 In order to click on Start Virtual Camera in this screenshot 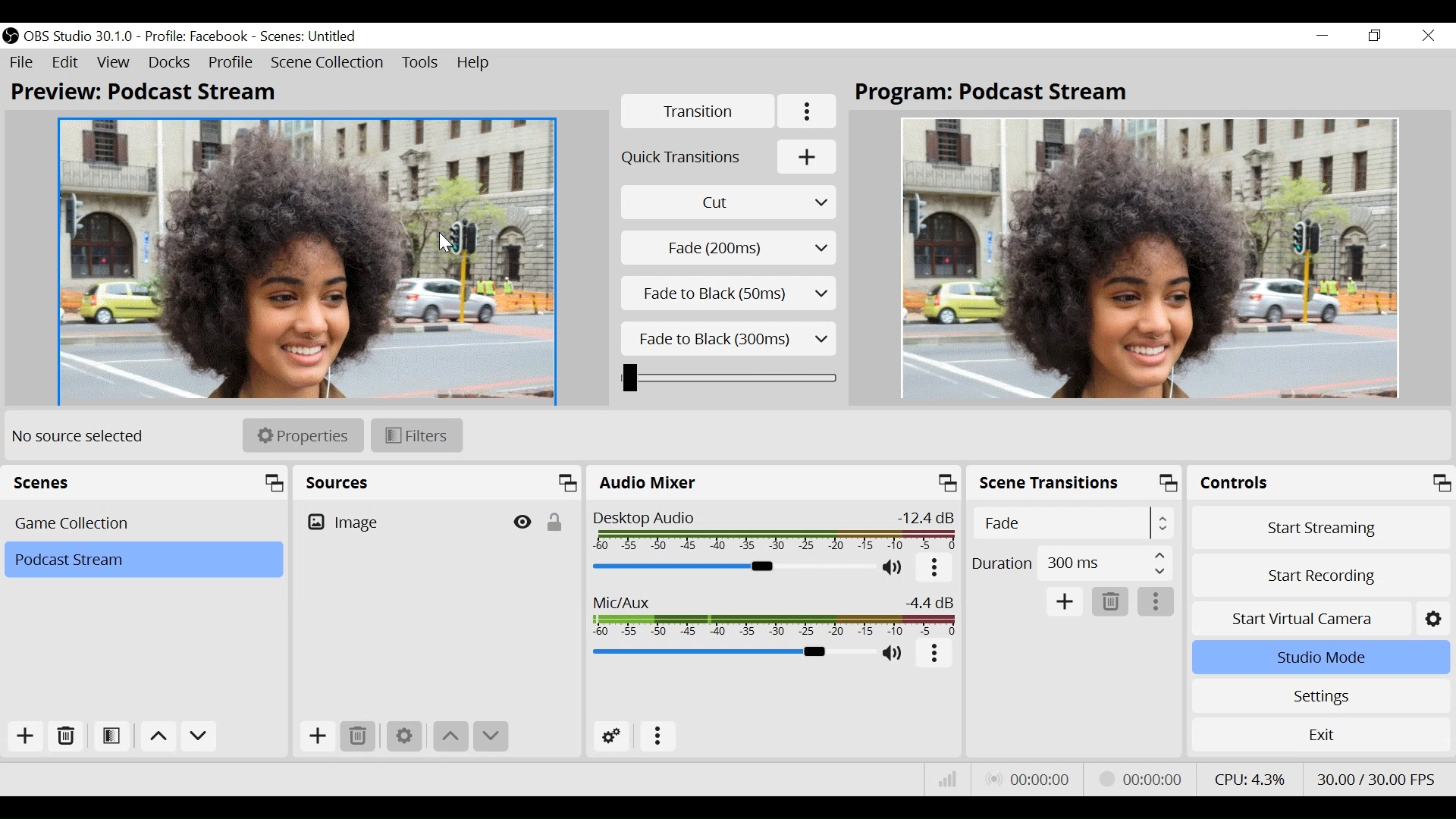, I will do `click(1318, 618)`.